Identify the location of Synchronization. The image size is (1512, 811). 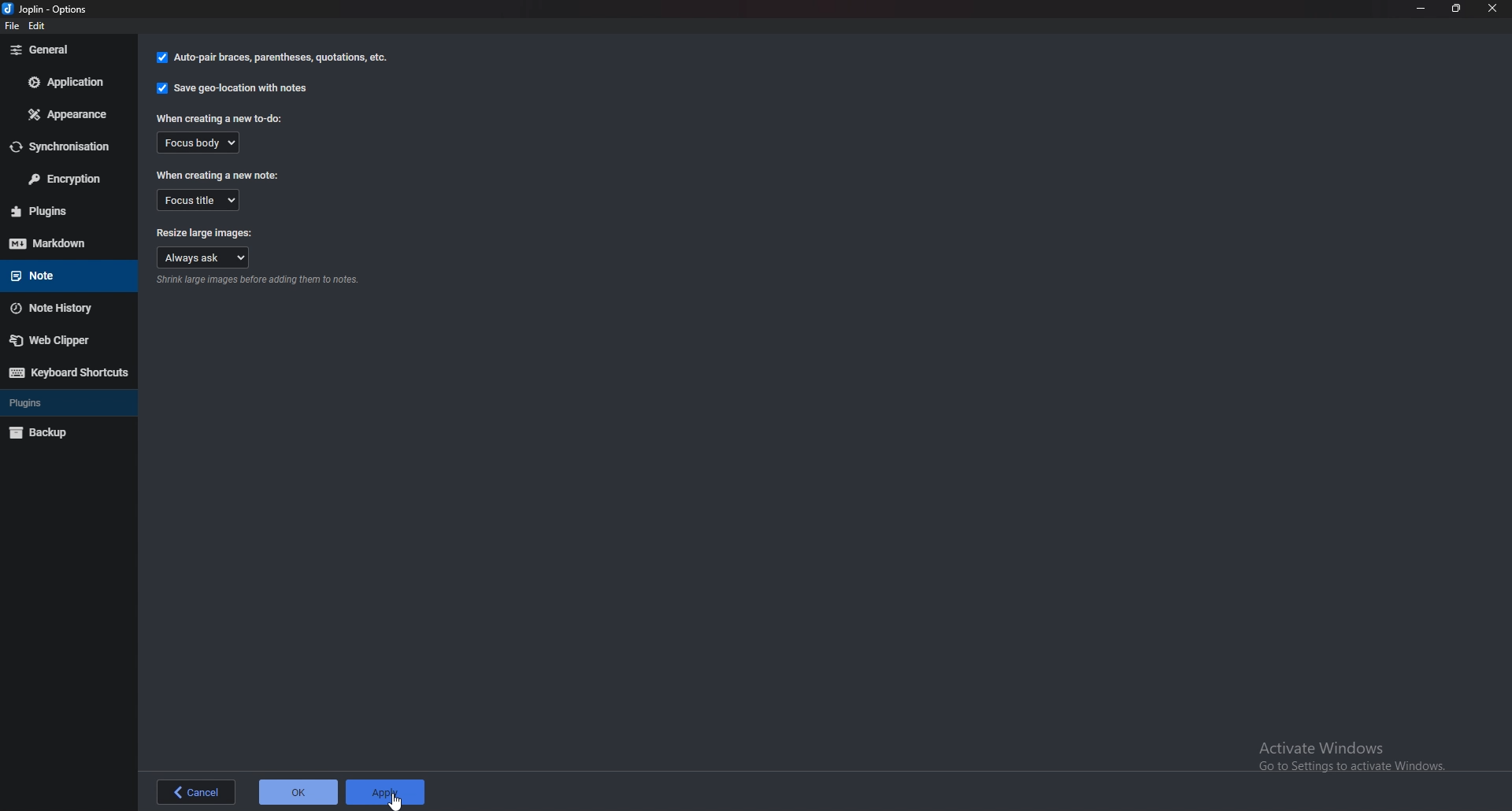
(64, 147).